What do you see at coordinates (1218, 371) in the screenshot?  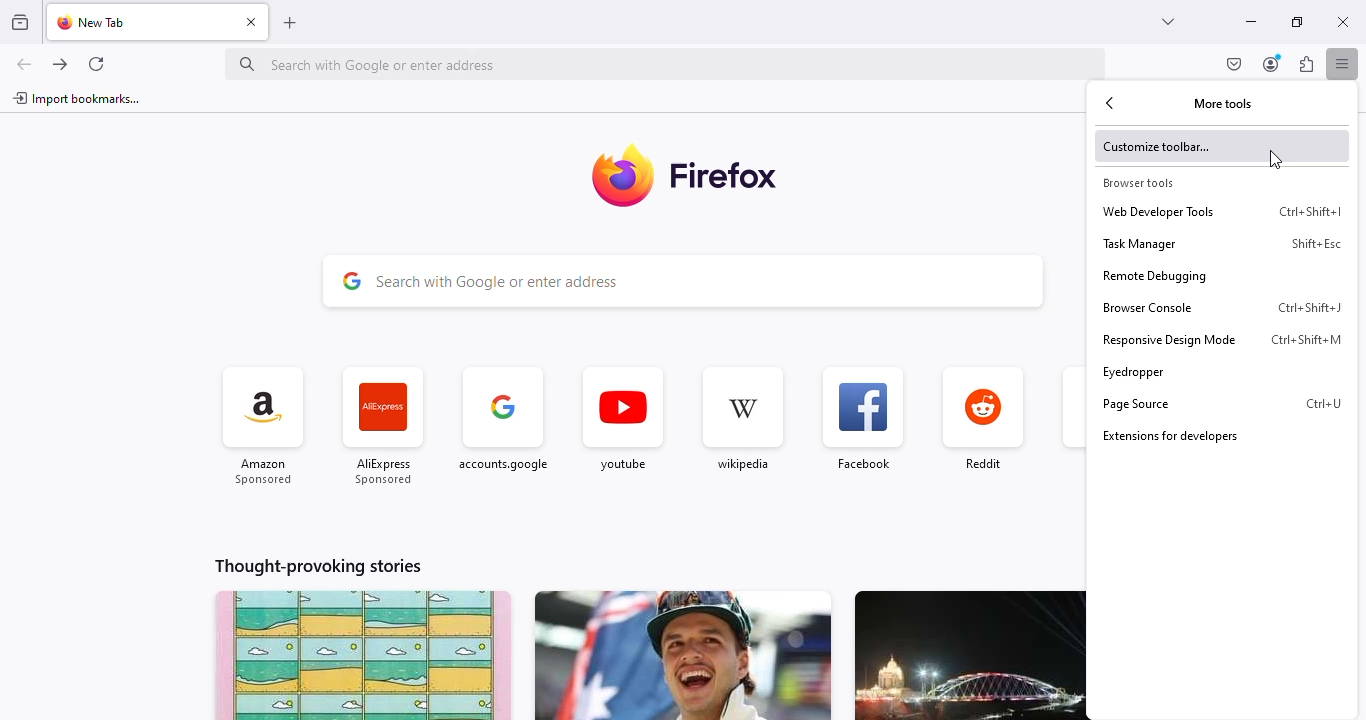 I see `eyedropper` at bounding box center [1218, 371].